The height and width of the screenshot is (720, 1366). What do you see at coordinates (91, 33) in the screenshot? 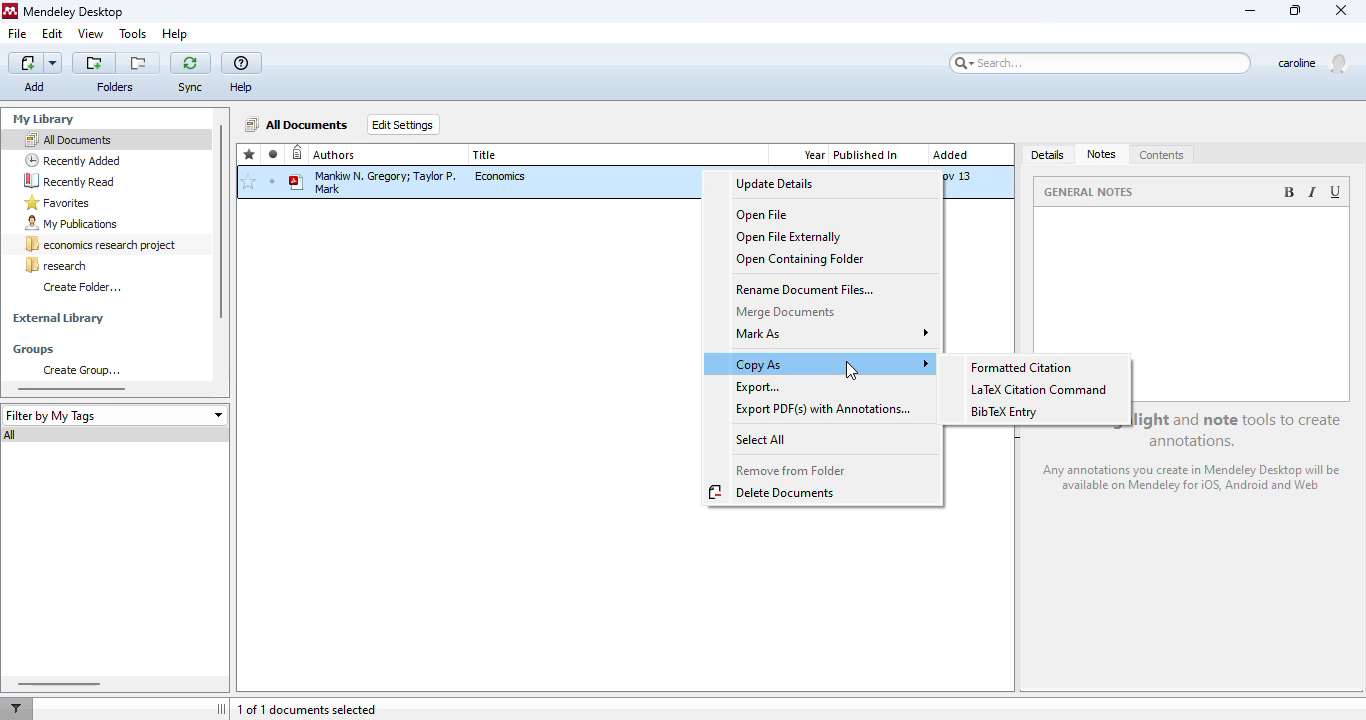
I see `view` at bounding box center [91, 33].